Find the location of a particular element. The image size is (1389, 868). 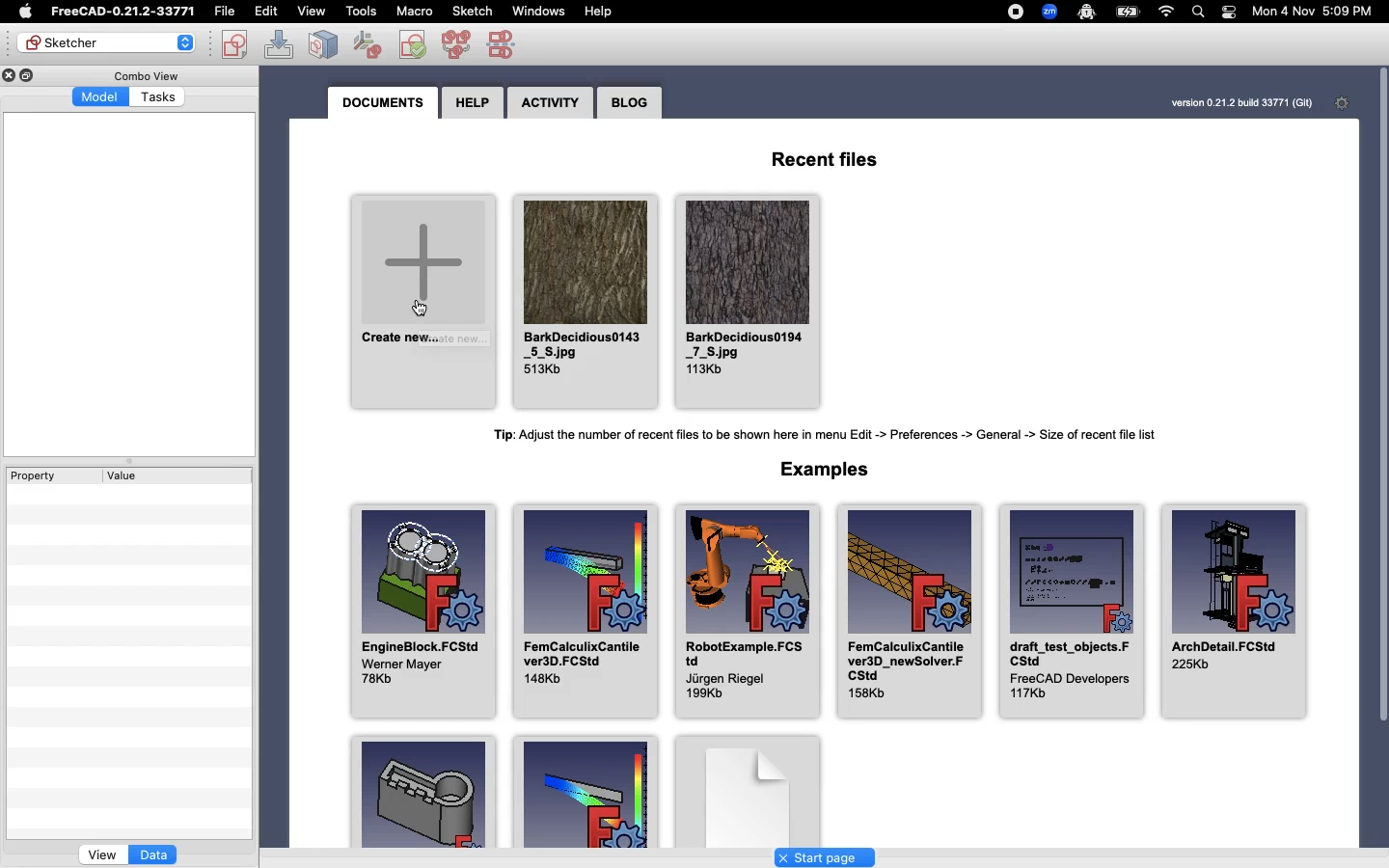

Close sketch is located at coordinates (322, 43).